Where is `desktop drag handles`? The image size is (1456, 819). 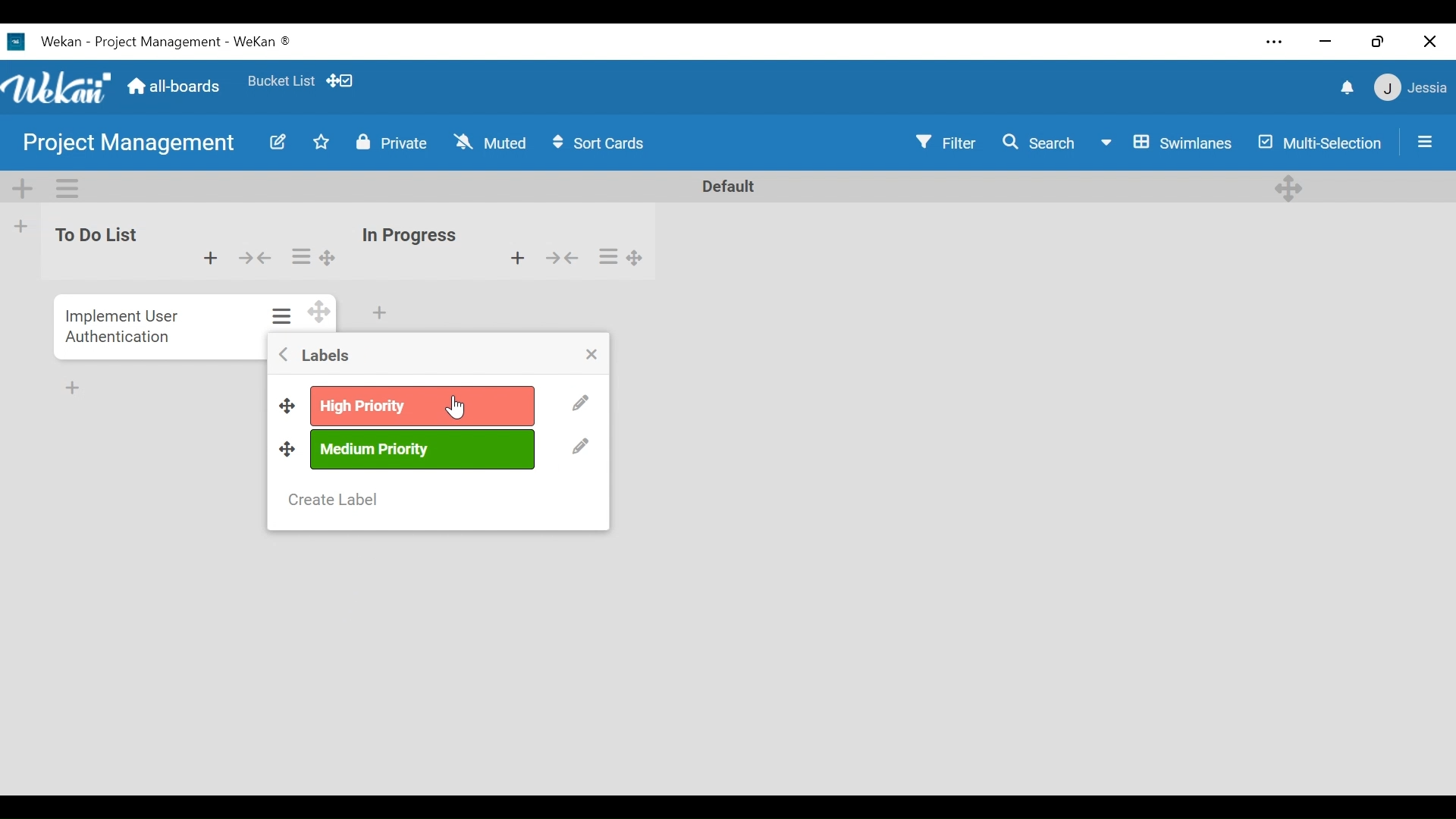
desktop drag handles is located at coordinates (318, 311).